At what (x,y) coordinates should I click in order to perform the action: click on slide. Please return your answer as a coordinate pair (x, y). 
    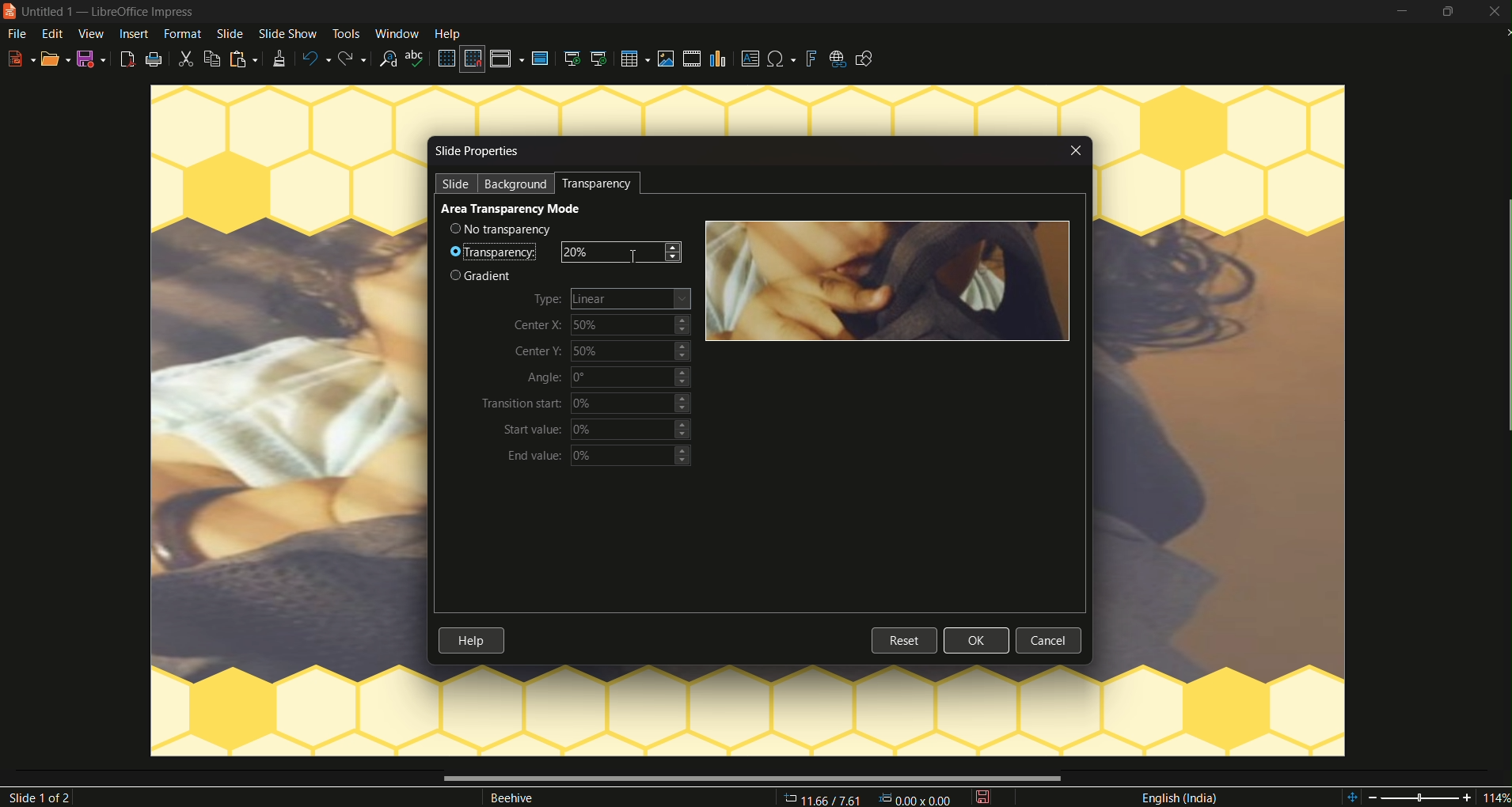
    Looking at the image, I should click on (458, 184).